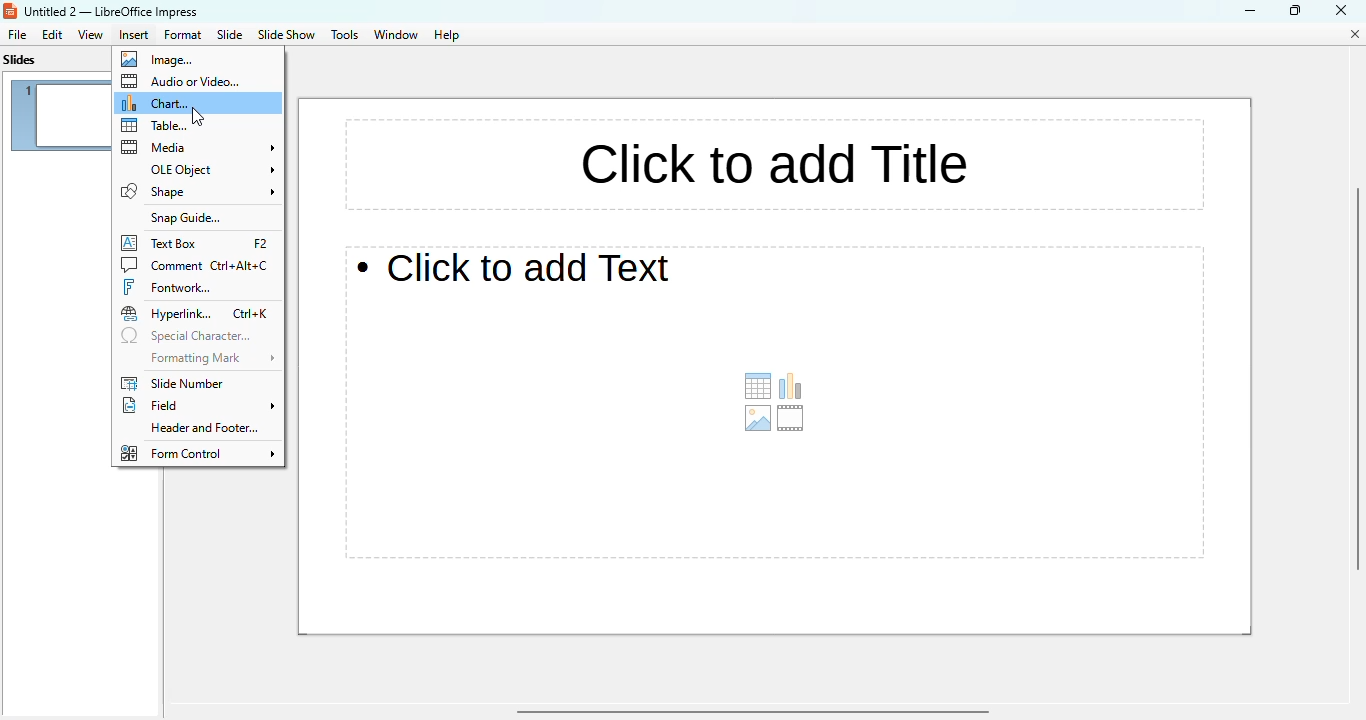 This screenshot has width=1366, height=720. What do you see at coordinates (750, 712) in the screenshot?
I see `horizontal scroll bar` at bounding box center [750, 712].